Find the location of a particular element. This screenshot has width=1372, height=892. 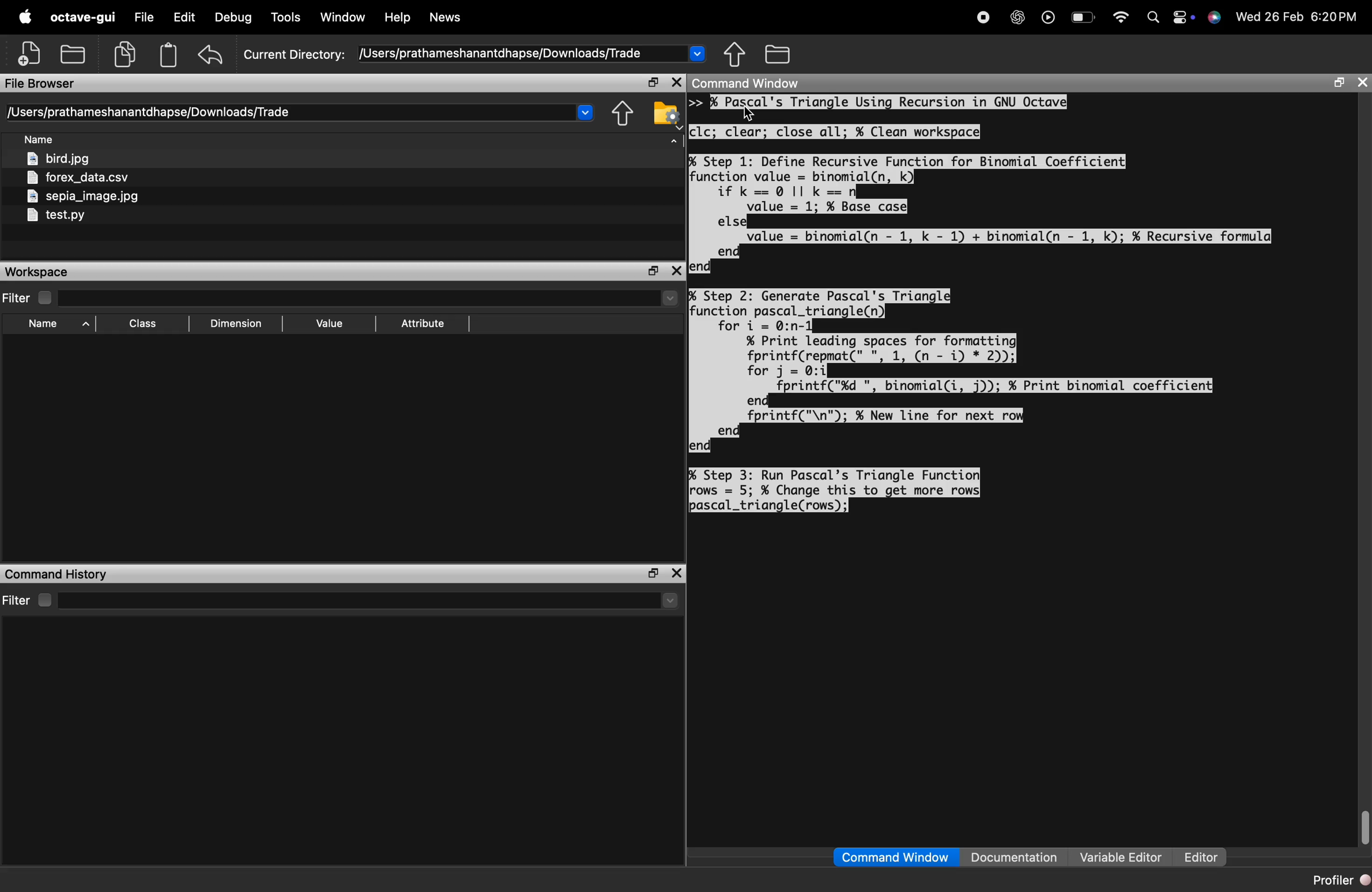

octave-gui is located at coordinates (83, 17).